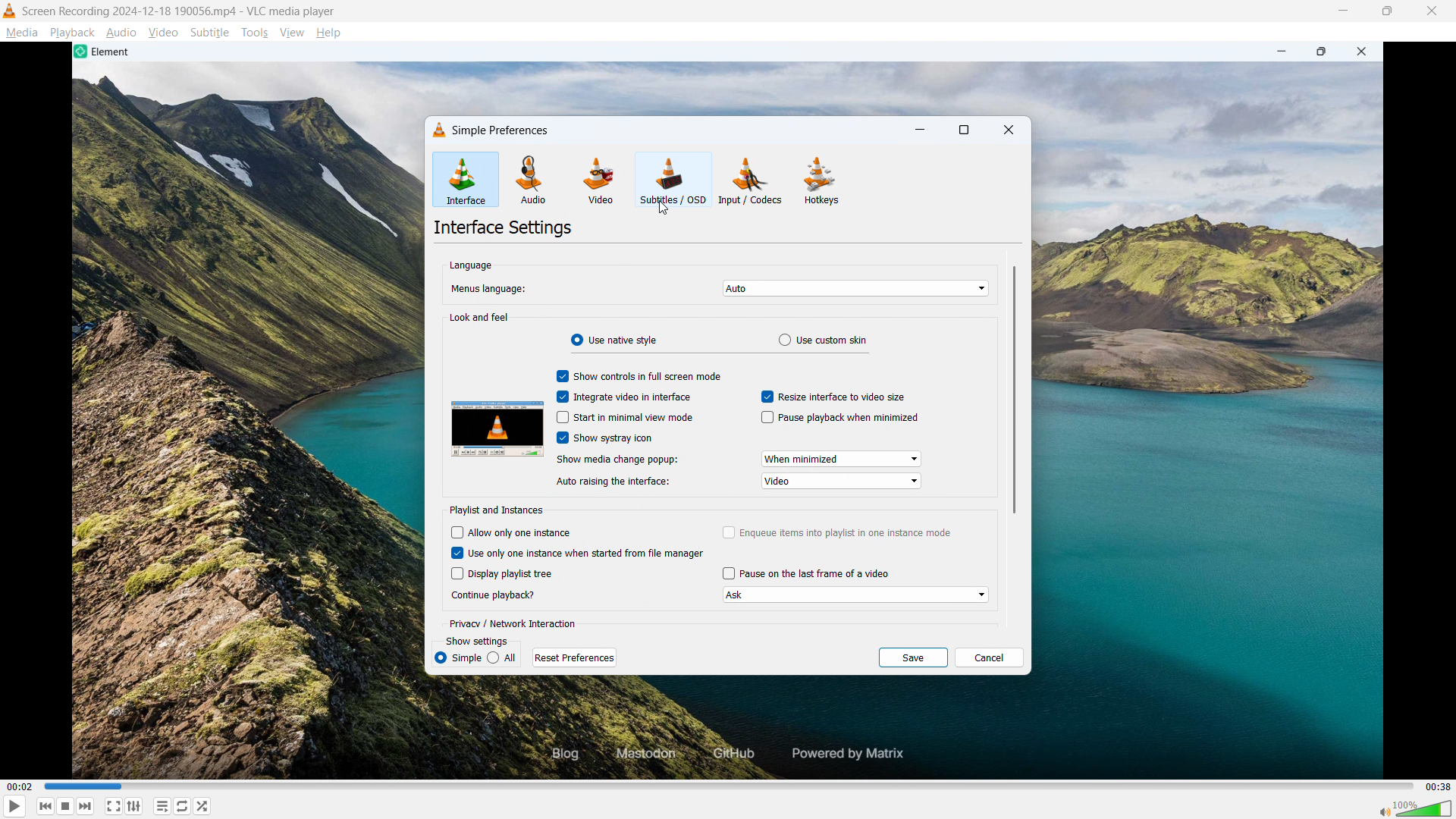  What do you see at coordinates (456, 534) in the screenshot?
I see `checkbox` at bounding box center [456, 534].